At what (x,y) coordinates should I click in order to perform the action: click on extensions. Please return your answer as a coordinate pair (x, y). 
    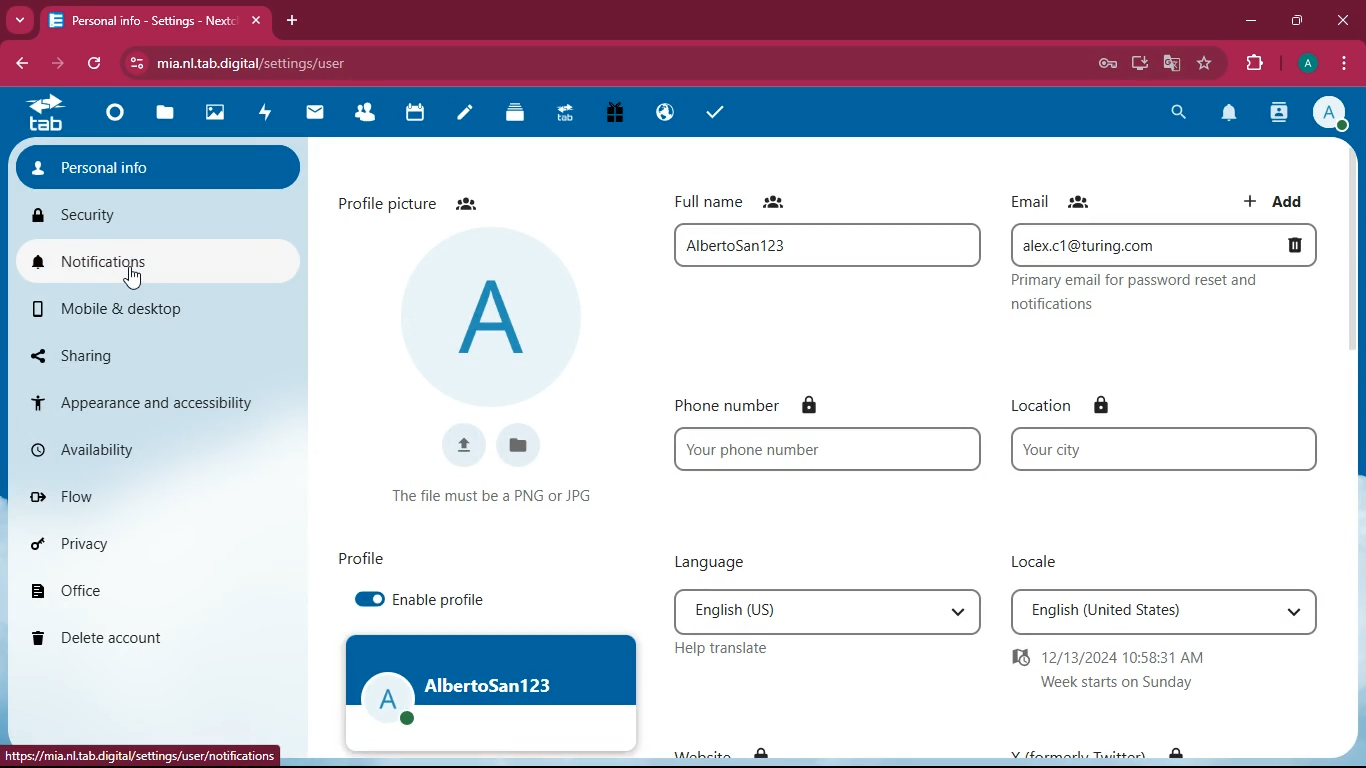
    Looking at the image, I should click on (1250, 61).